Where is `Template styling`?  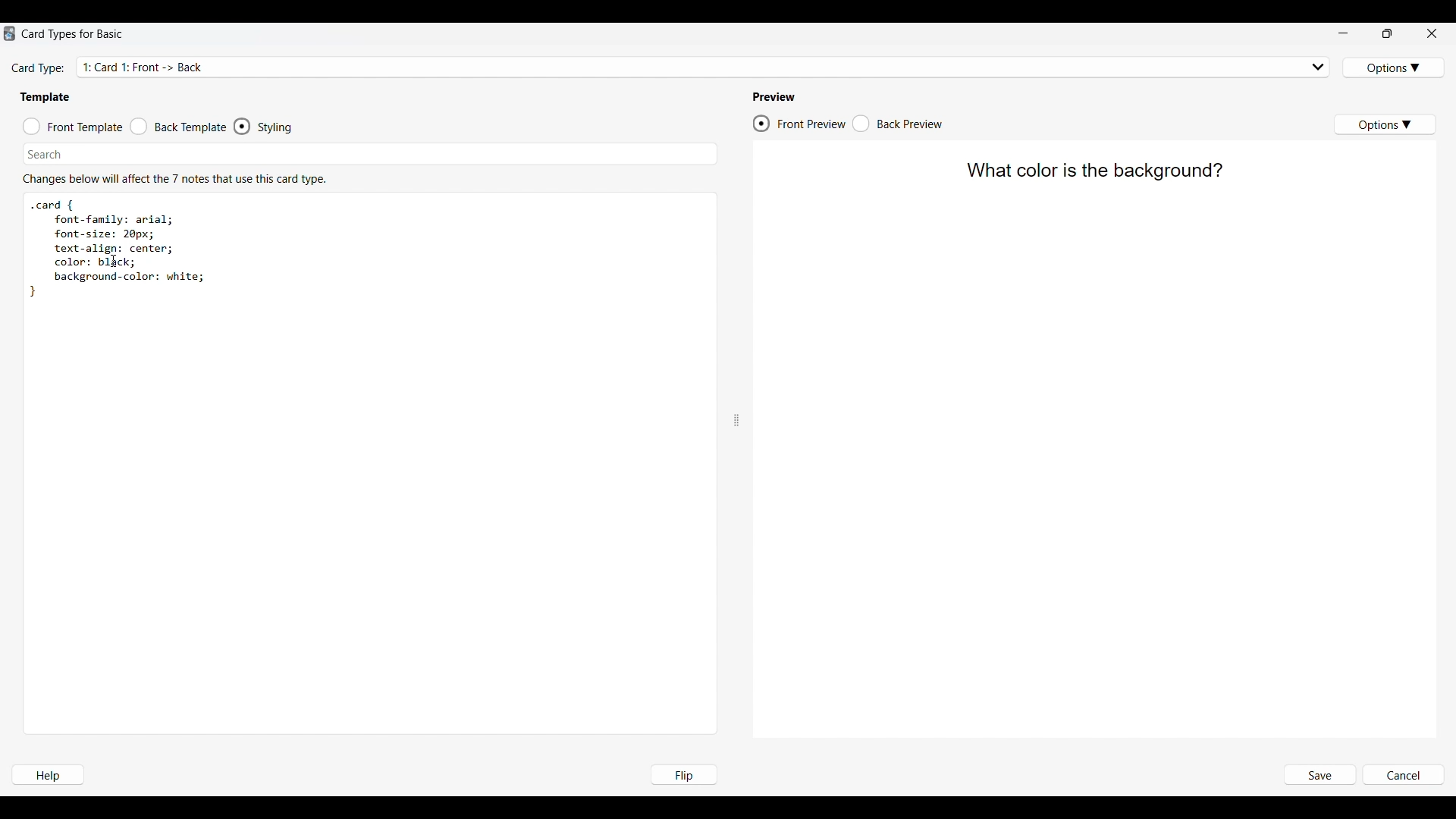 Template styling is located at coordinates (278, 127).